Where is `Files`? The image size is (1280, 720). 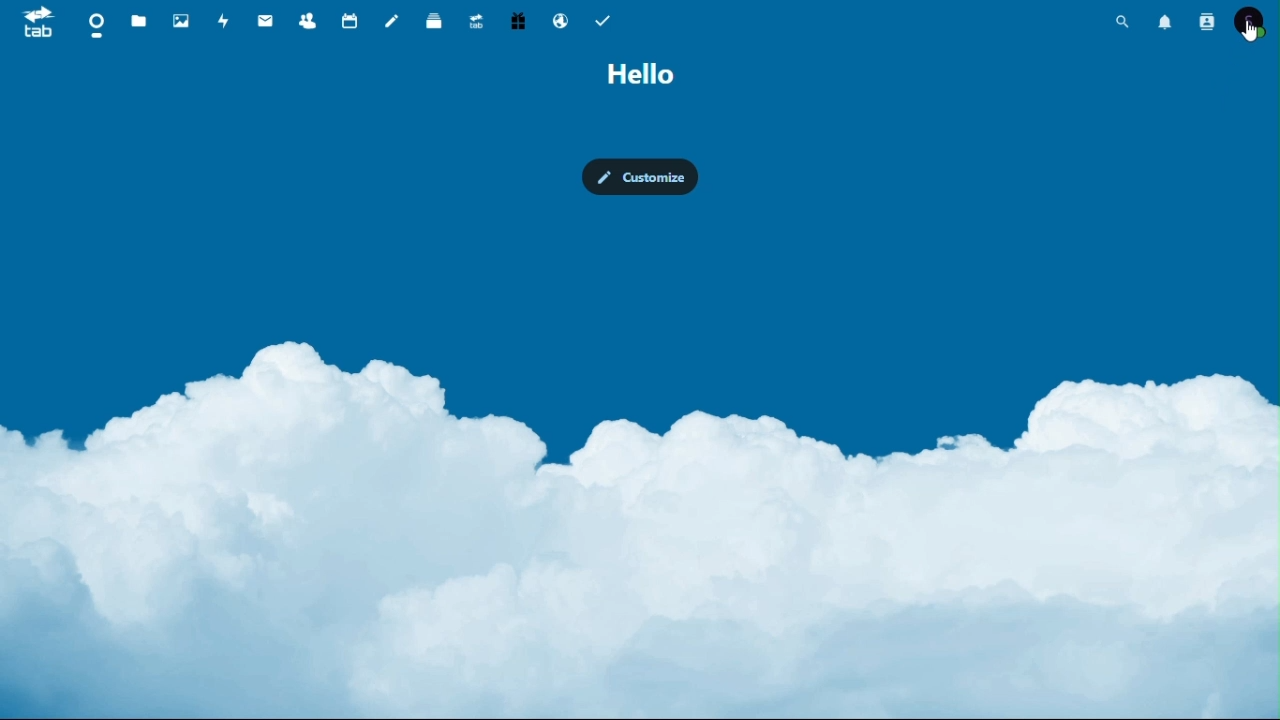 Files is located at coordinates (140, 22).